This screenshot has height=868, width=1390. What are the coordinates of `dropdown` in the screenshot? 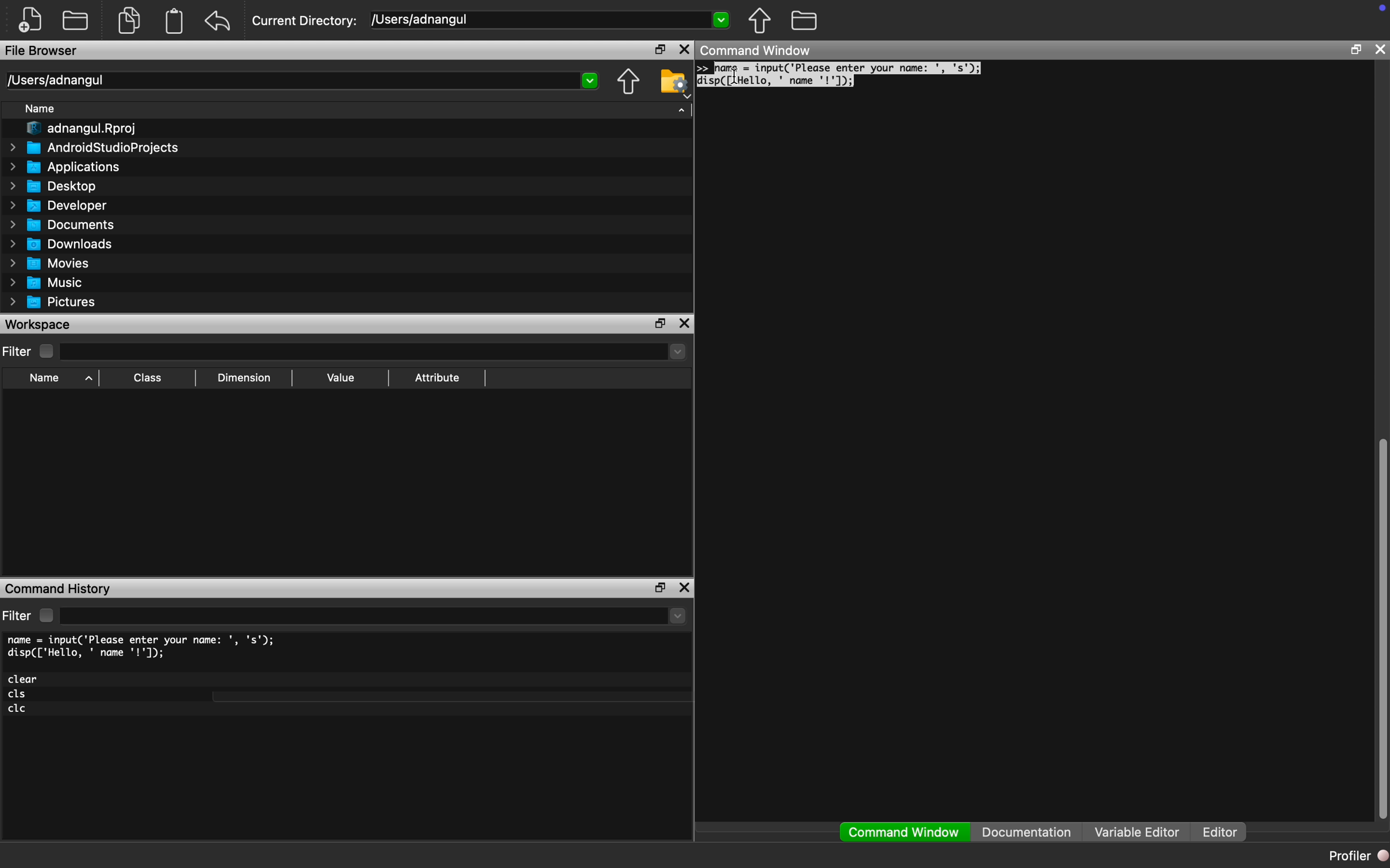 It's located at (678, 616).